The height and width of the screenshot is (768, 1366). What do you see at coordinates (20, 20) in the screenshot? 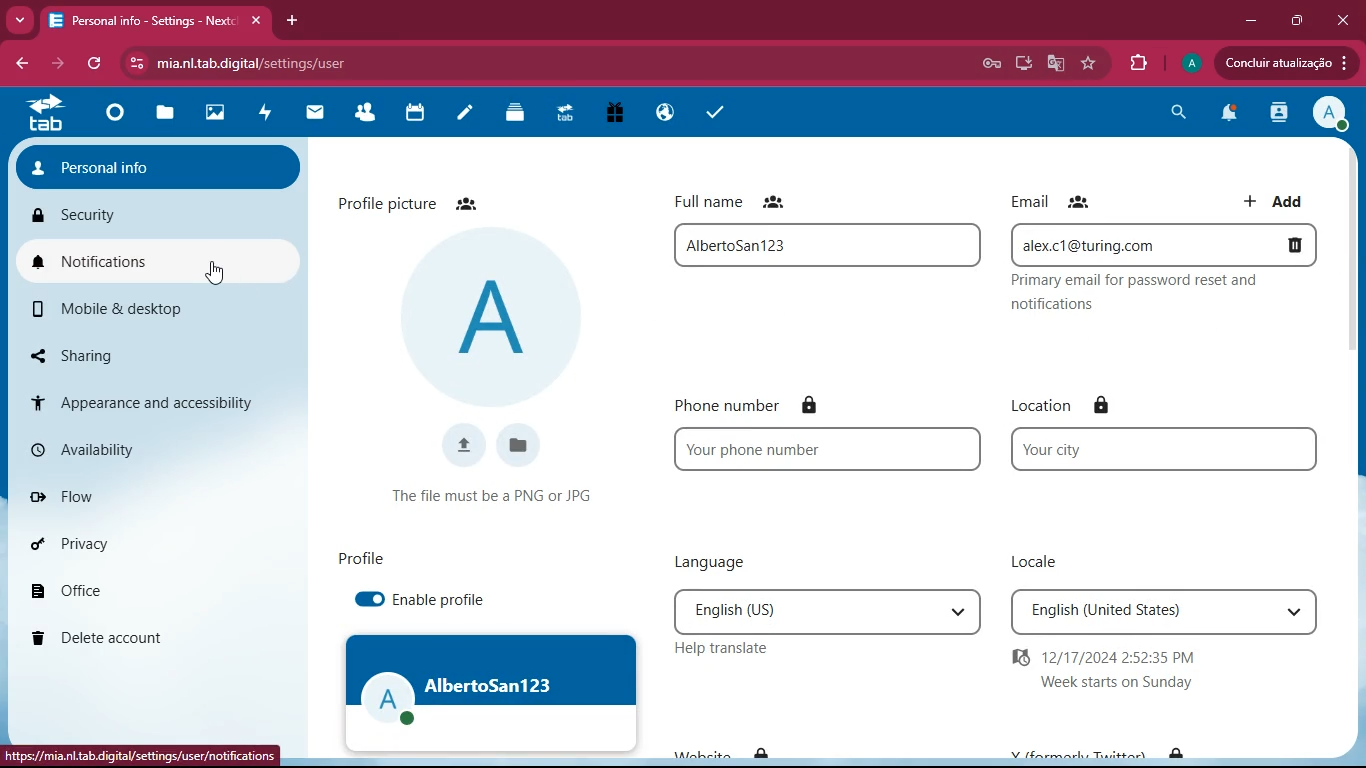
I see `more` at bounding box center [20, 20].